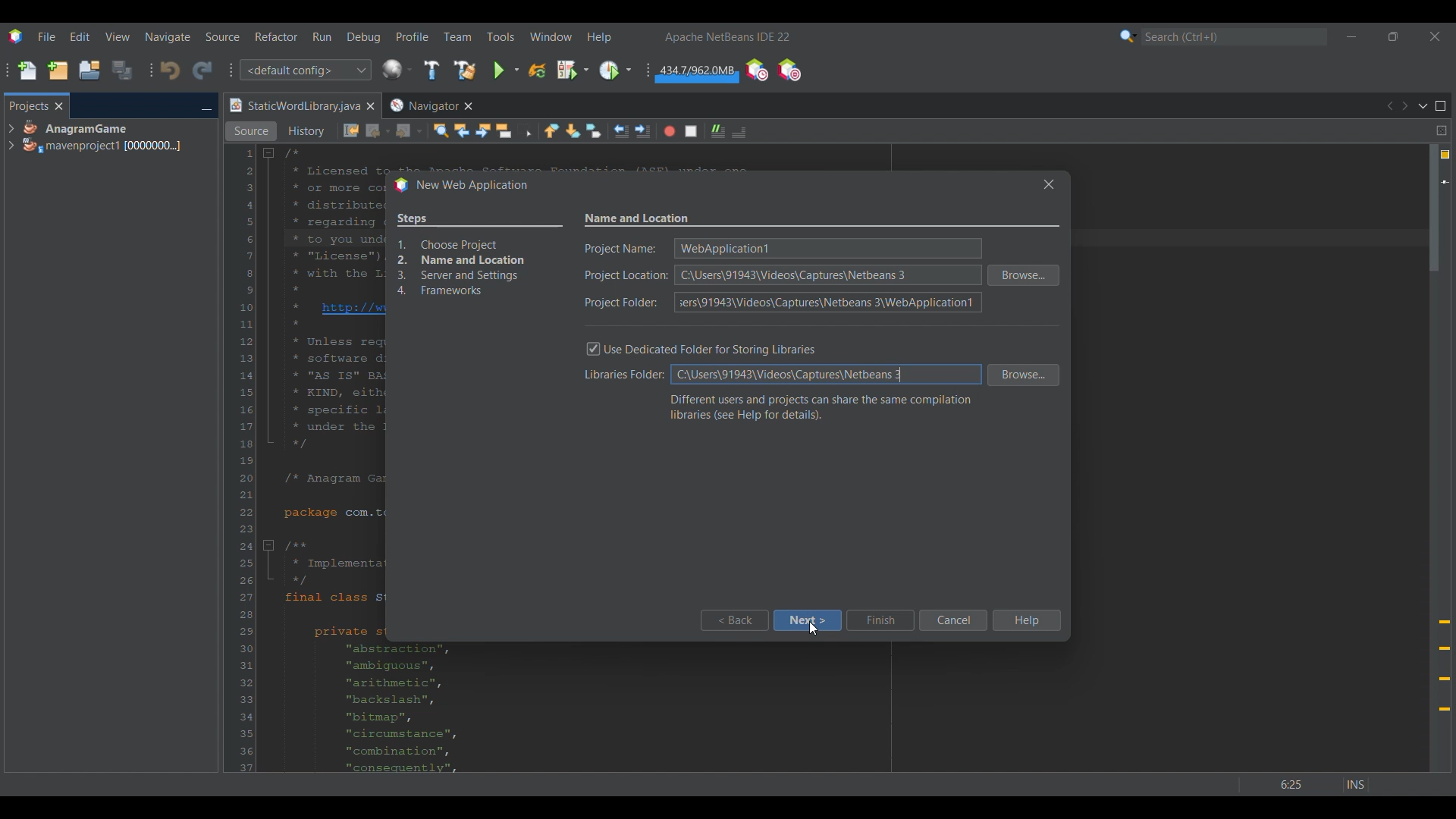 The height and width of the screenshot is (819, 1456). Describe the element at coordinates (59, 106) in the screenshot. I see `Close tab` at that location.